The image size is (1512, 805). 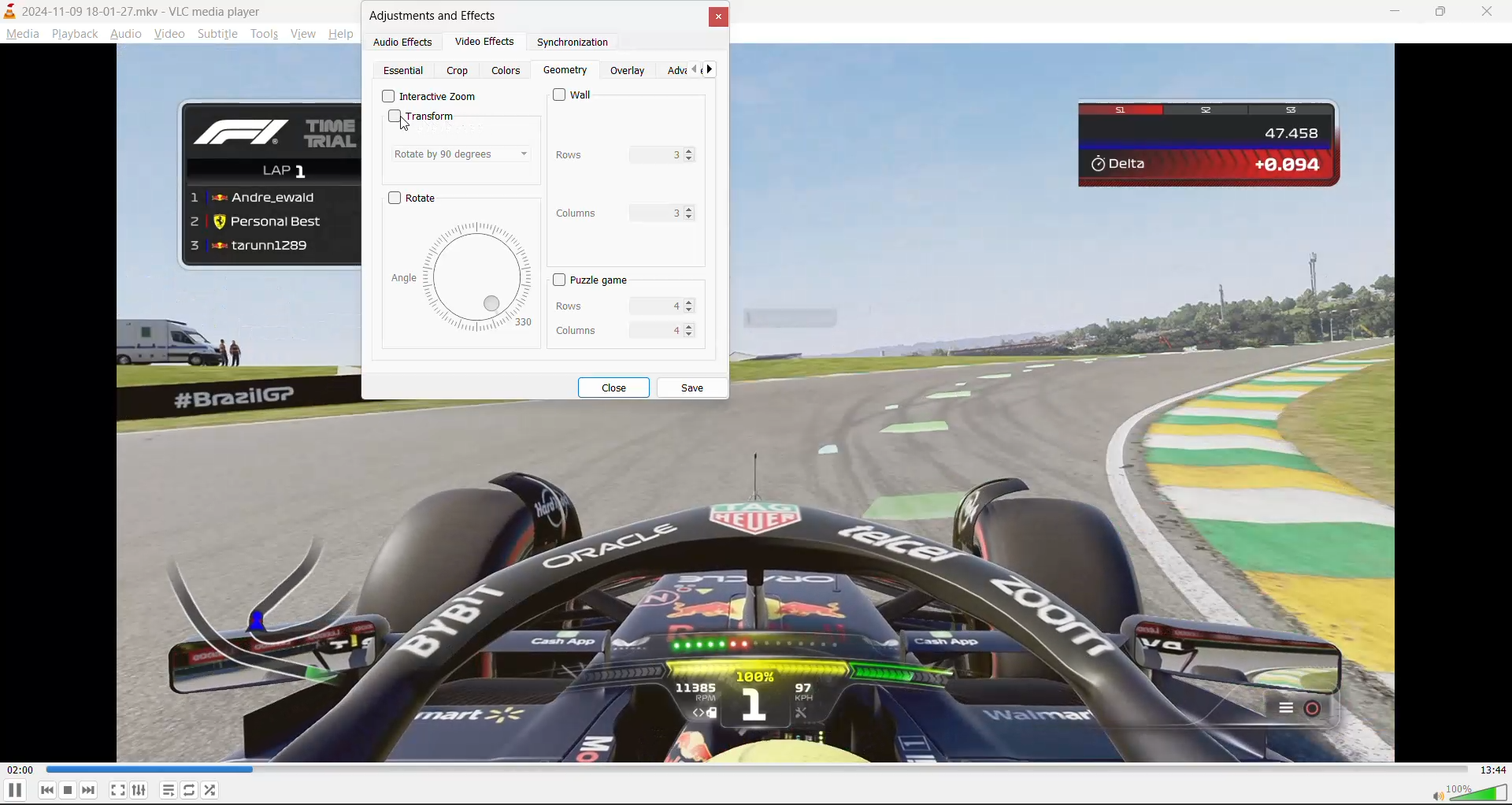 I want to click on next, so click(x=91, y=789).